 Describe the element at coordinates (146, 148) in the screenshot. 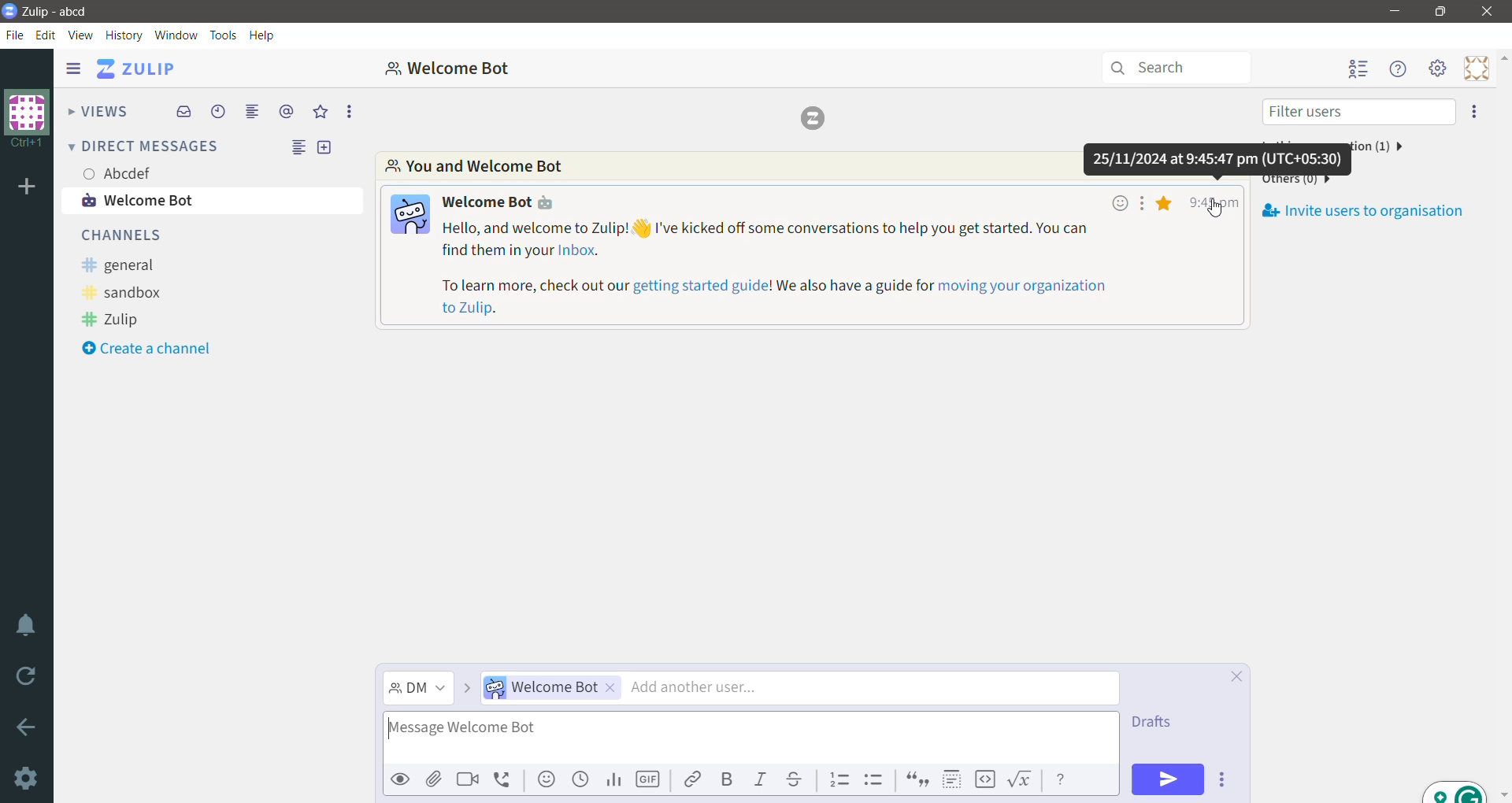

I see `Direct Messages` at that location.